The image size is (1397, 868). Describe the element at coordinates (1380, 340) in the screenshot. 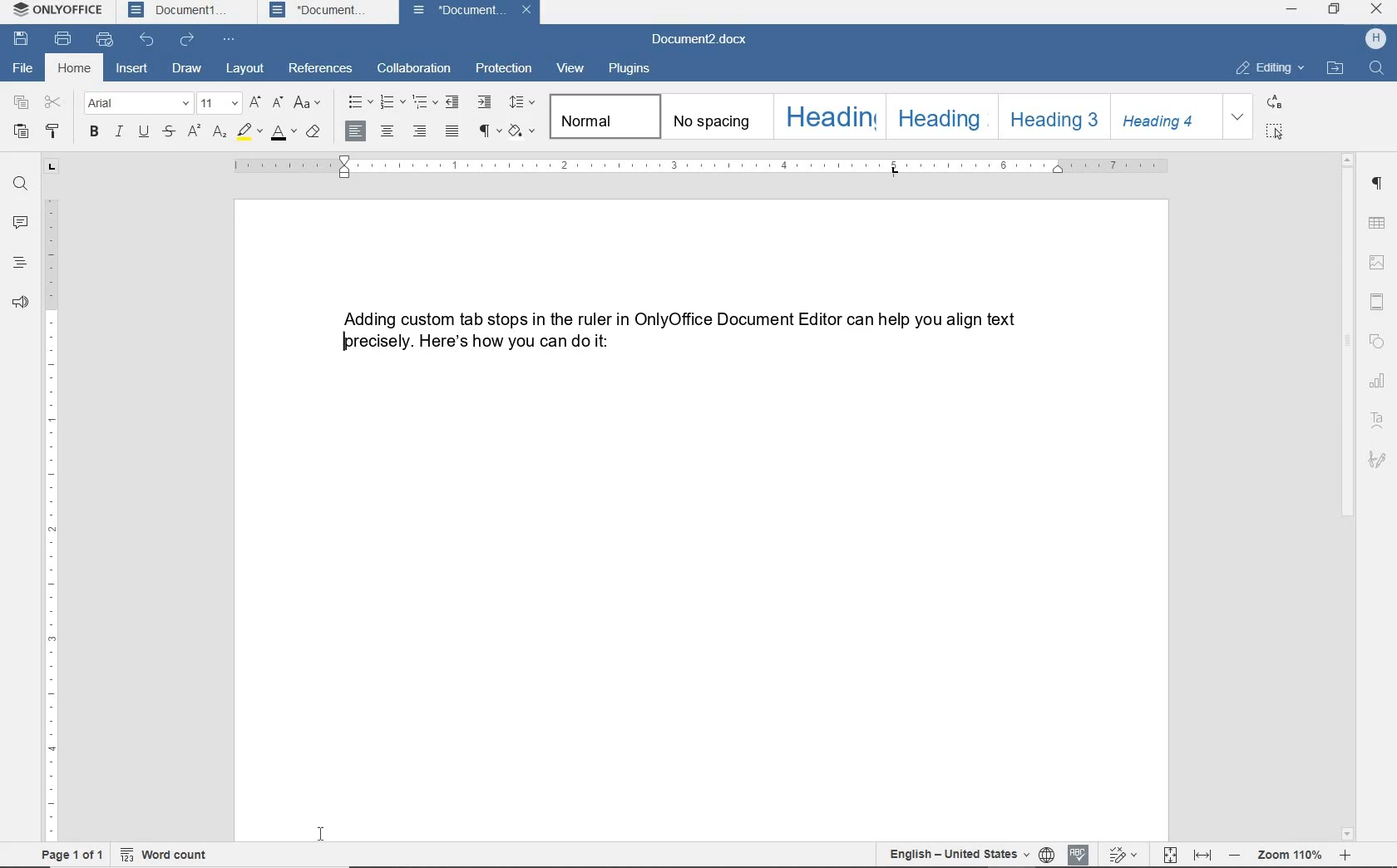

I see `shape` at that location.